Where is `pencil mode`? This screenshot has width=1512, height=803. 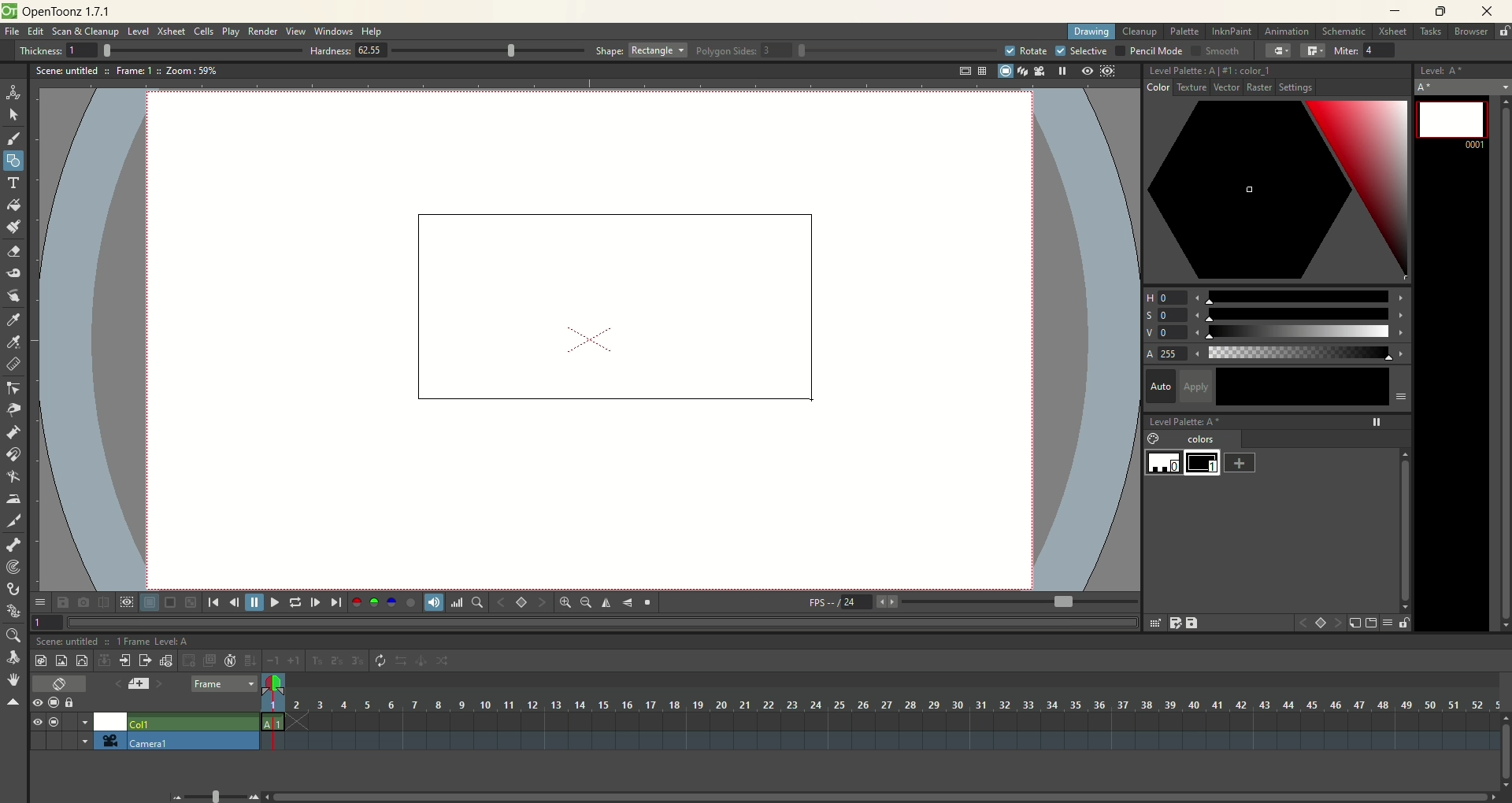
pencil mode is located at coordinates (1148, 50).